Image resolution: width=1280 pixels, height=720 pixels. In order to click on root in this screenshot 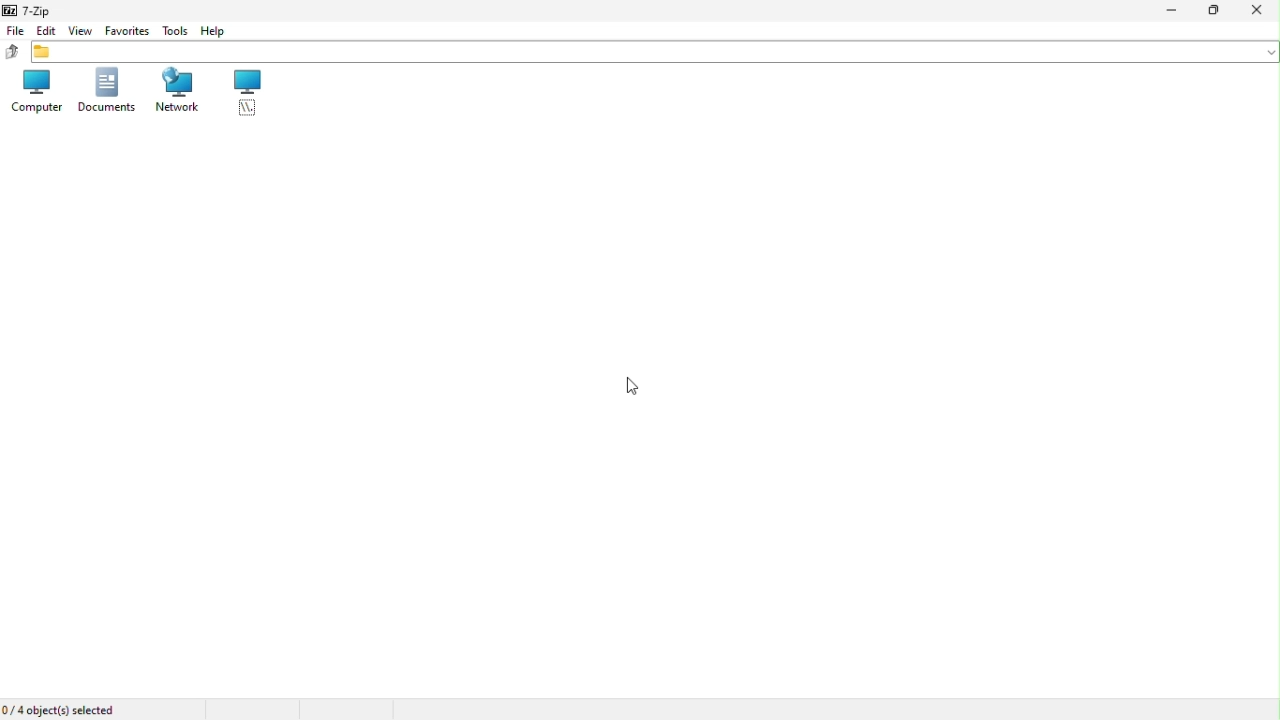, I will do `click(247, 93)`.